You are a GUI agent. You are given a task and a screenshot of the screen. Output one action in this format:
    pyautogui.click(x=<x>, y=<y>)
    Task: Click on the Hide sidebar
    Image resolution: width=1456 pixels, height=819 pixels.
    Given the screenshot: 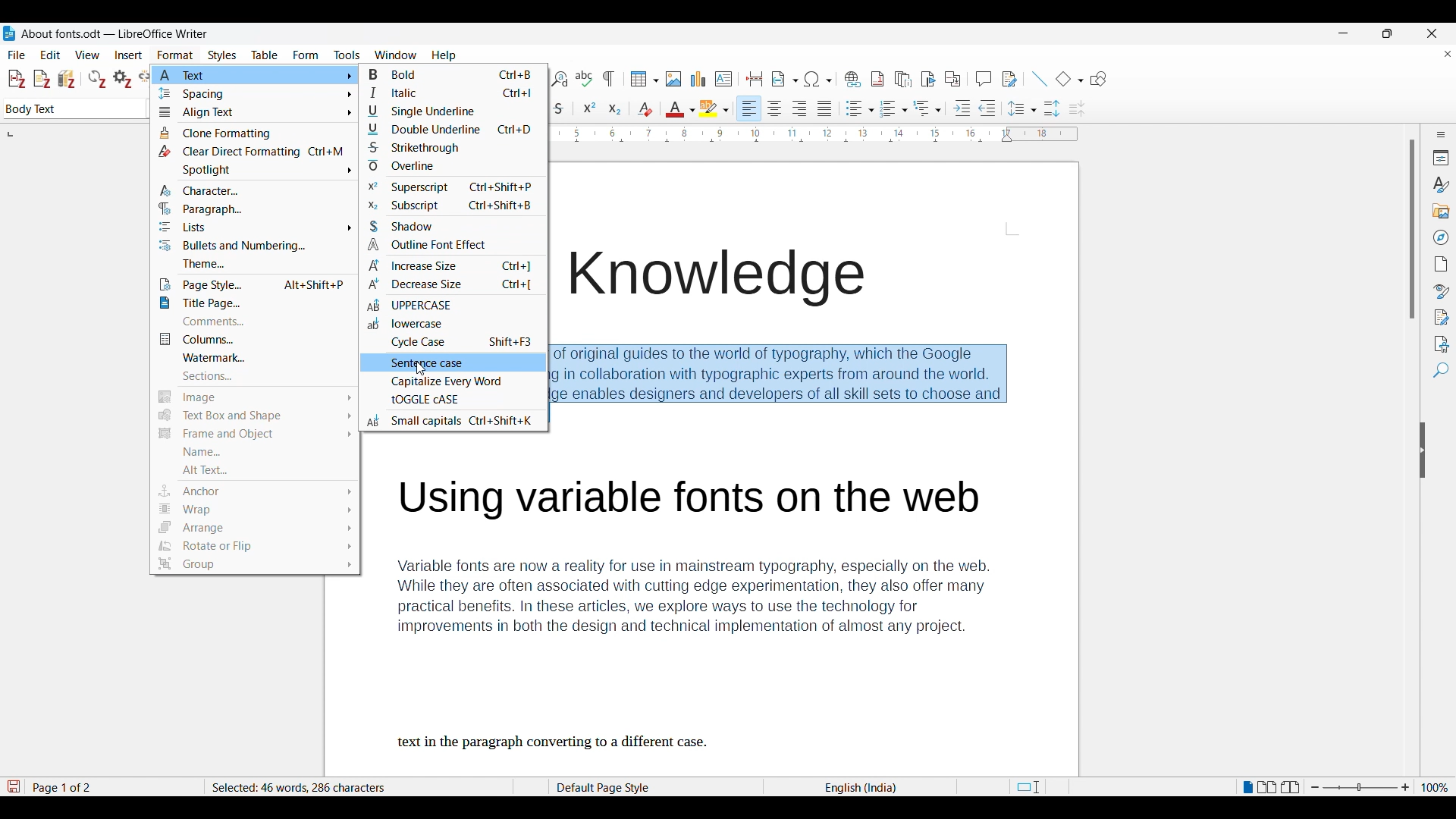 What is the action you would take?
    pyautogui.click(x=1423, y=450)
    